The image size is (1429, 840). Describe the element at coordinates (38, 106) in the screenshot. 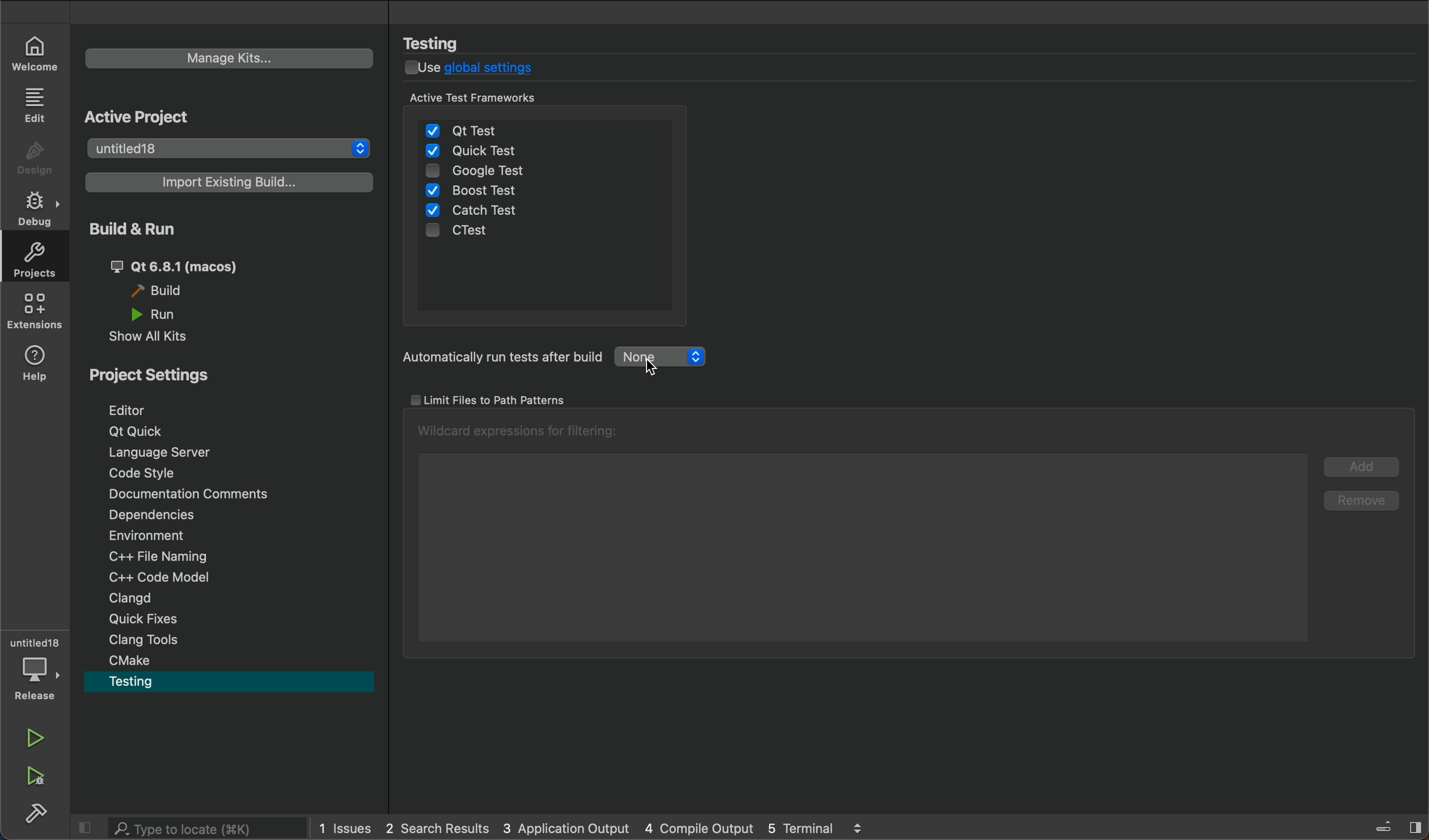

I see `edit` at that location.